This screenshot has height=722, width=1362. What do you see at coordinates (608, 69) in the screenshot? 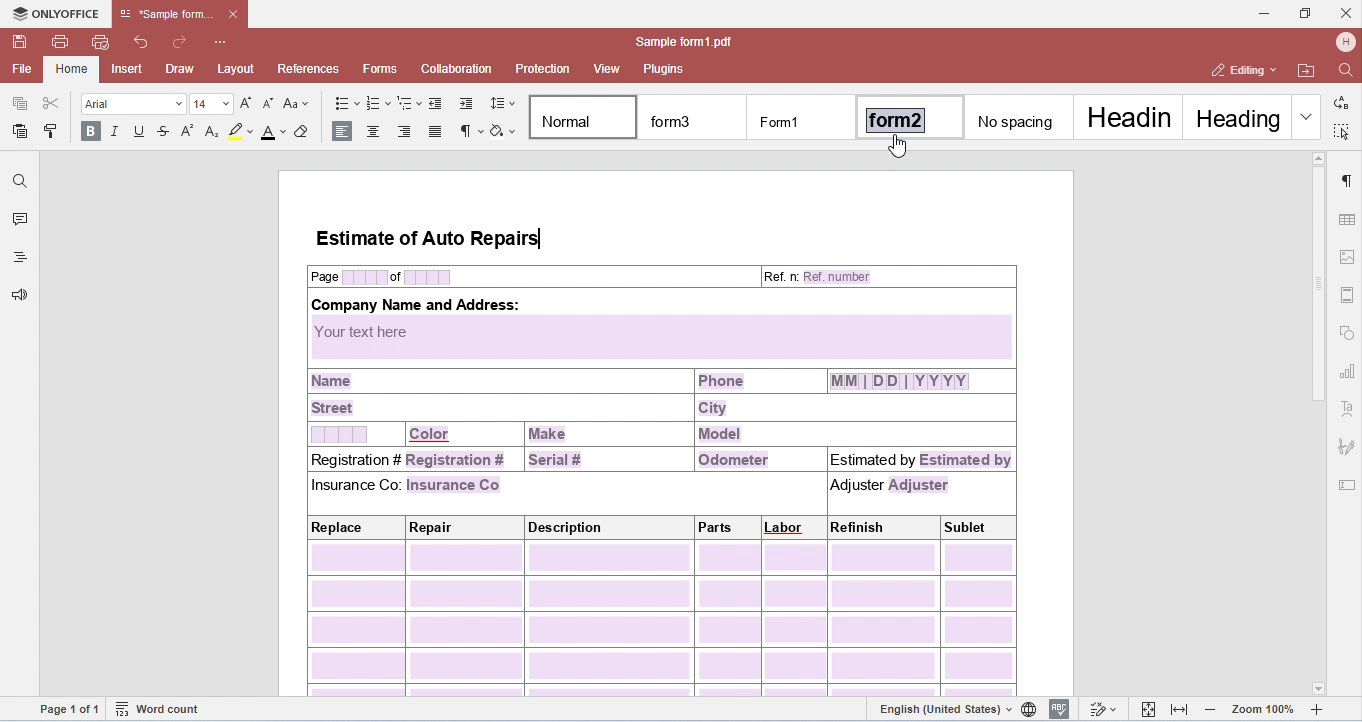
I see `view` at bounding box center [608, 69].